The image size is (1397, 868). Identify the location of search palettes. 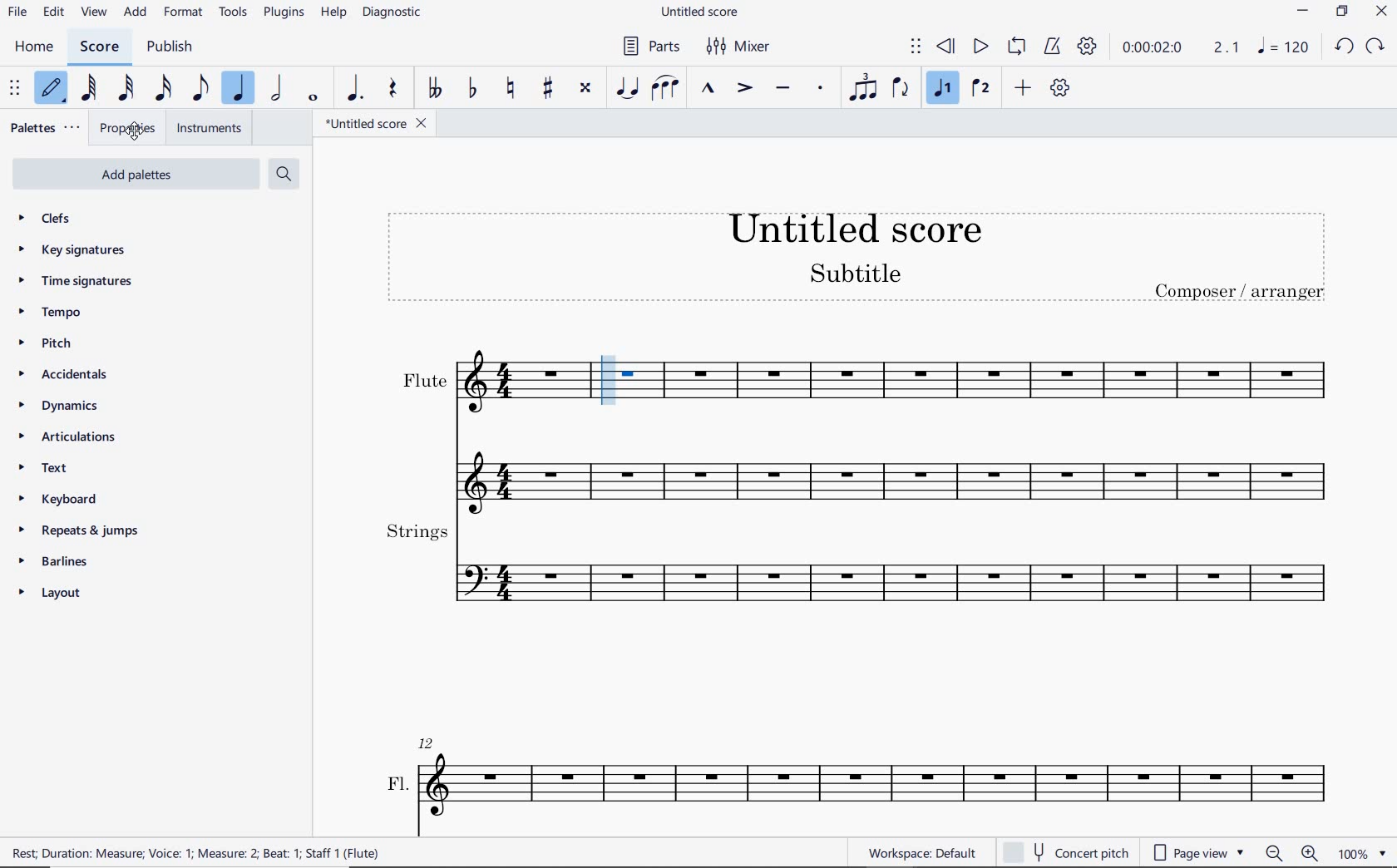
(286, 174).